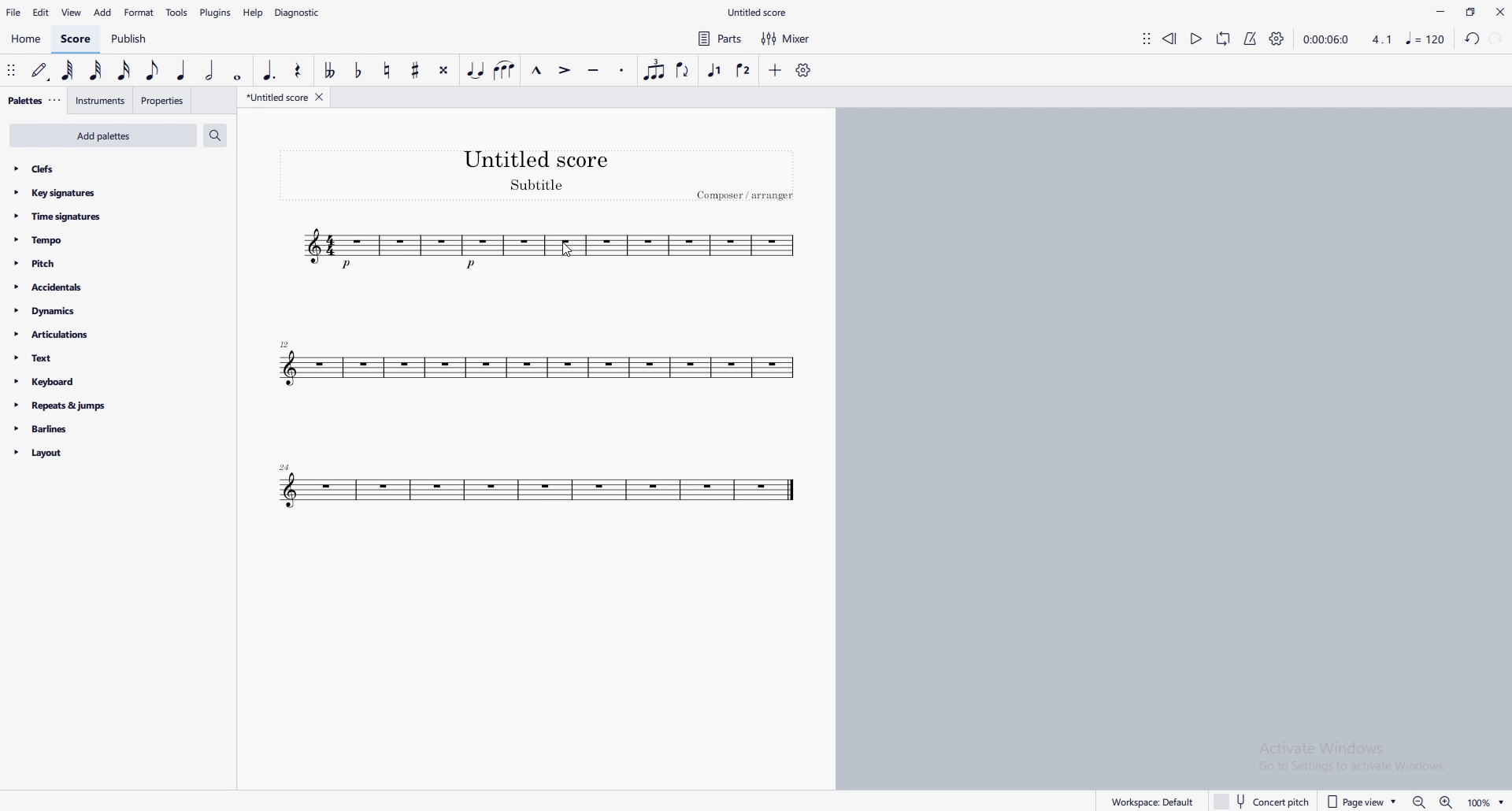 Image resolution: width=1512 pixels, height=811 pixels. What do you see at coordinates (1326, 38) in the screenshot?
I see `time` at bounding box center [1326, 38].